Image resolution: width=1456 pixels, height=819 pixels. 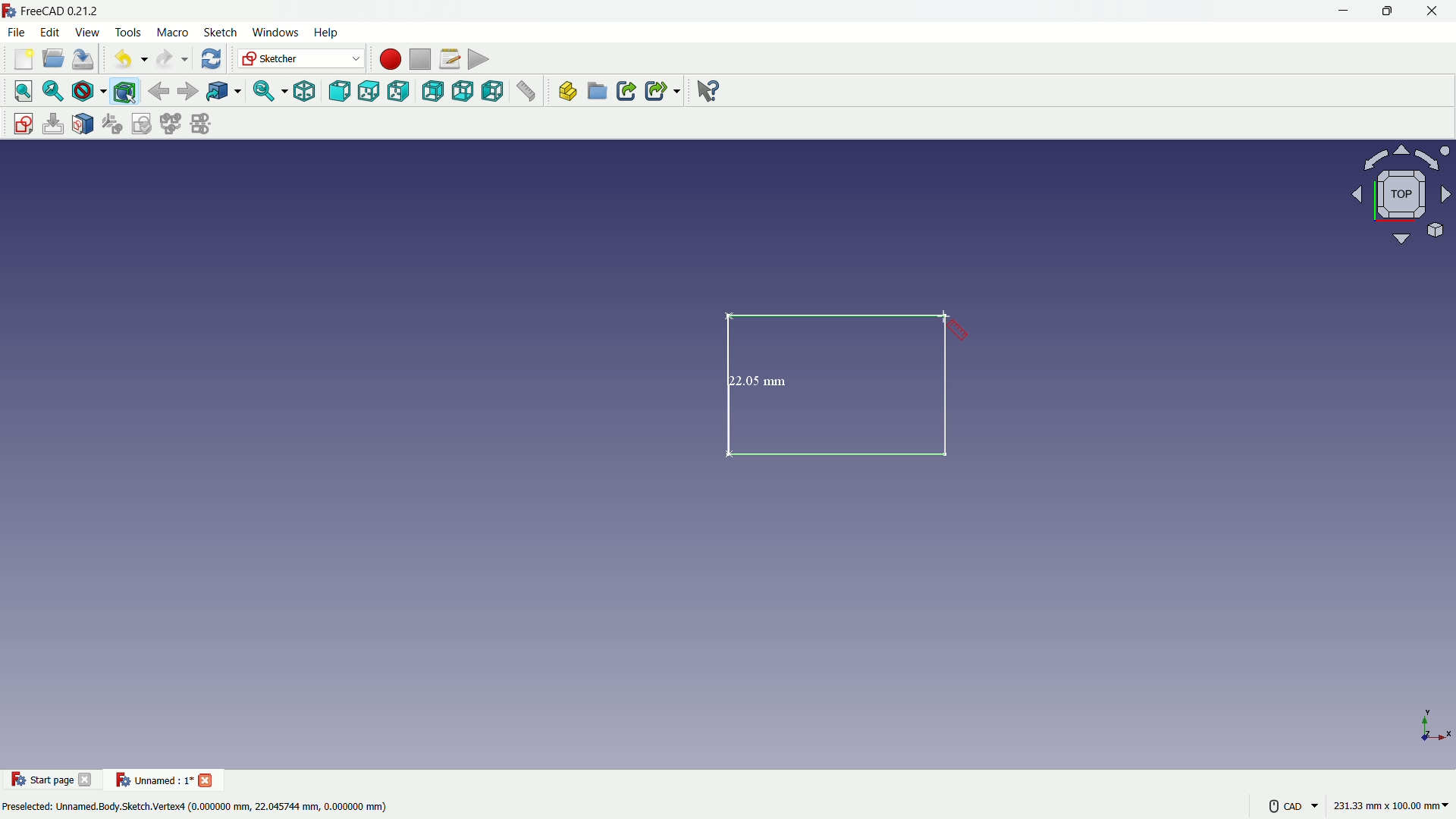 I want to click on help extension, so click(x=709, y=92).